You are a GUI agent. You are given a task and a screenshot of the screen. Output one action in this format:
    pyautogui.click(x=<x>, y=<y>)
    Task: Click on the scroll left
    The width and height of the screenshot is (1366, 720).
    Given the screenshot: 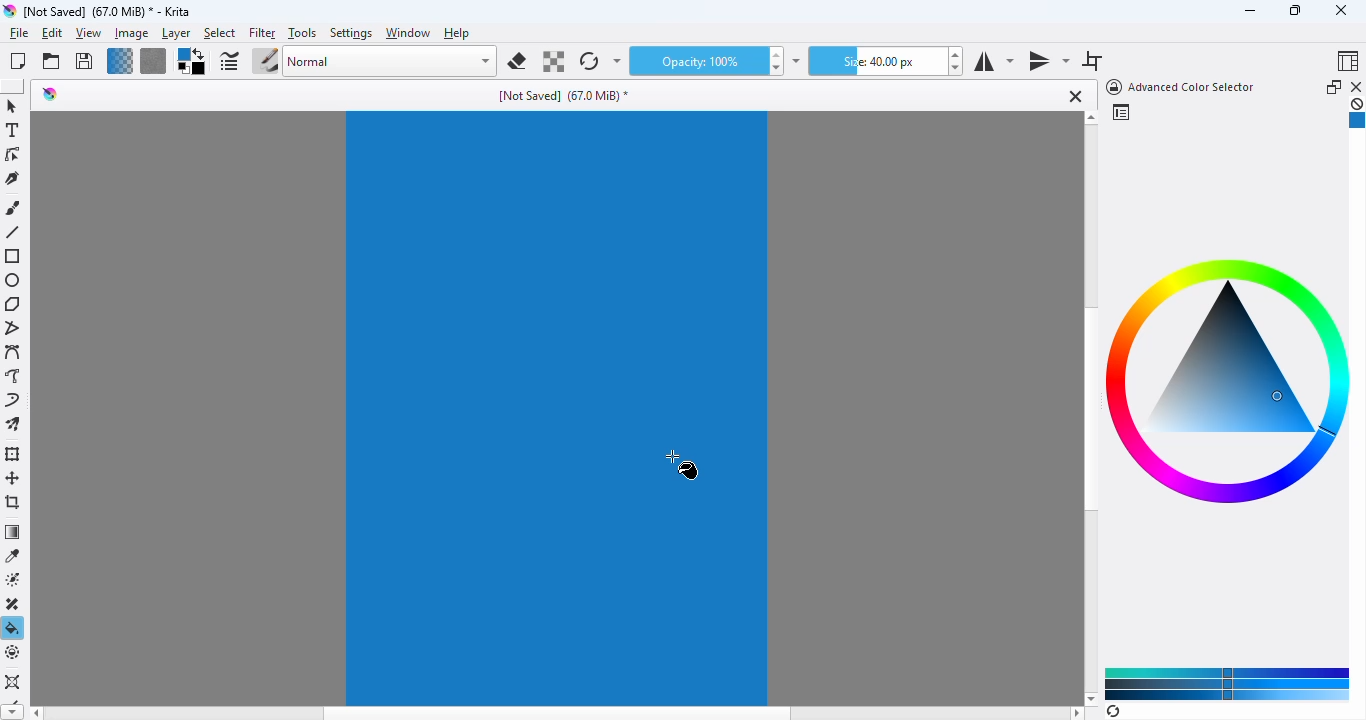 What is the action you would take?
    pyautogui.click(x=35, y=713)
    